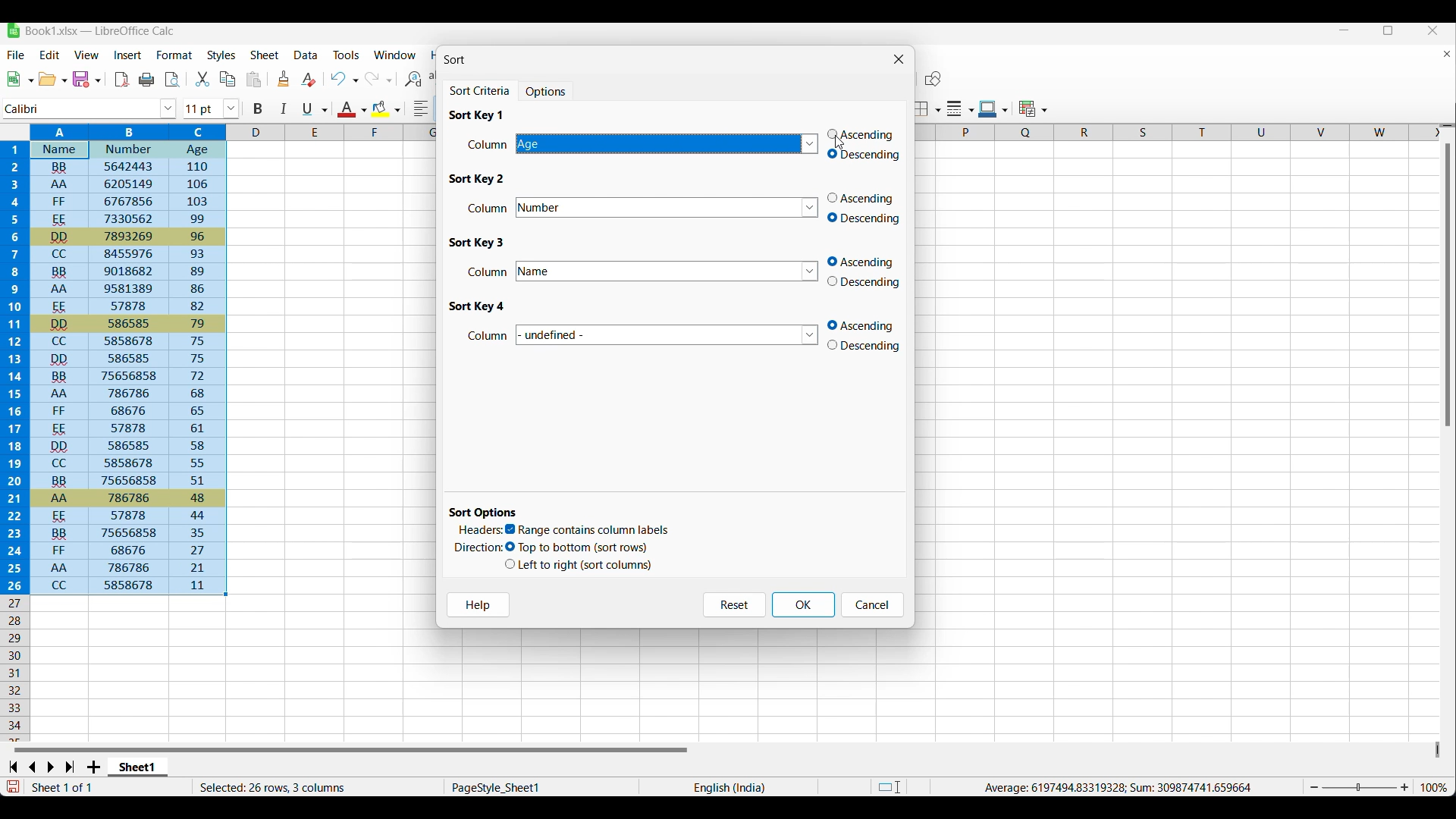 The width and height of the screenshot is (1456, 819). I want to click on Window title, so click(454, 60).